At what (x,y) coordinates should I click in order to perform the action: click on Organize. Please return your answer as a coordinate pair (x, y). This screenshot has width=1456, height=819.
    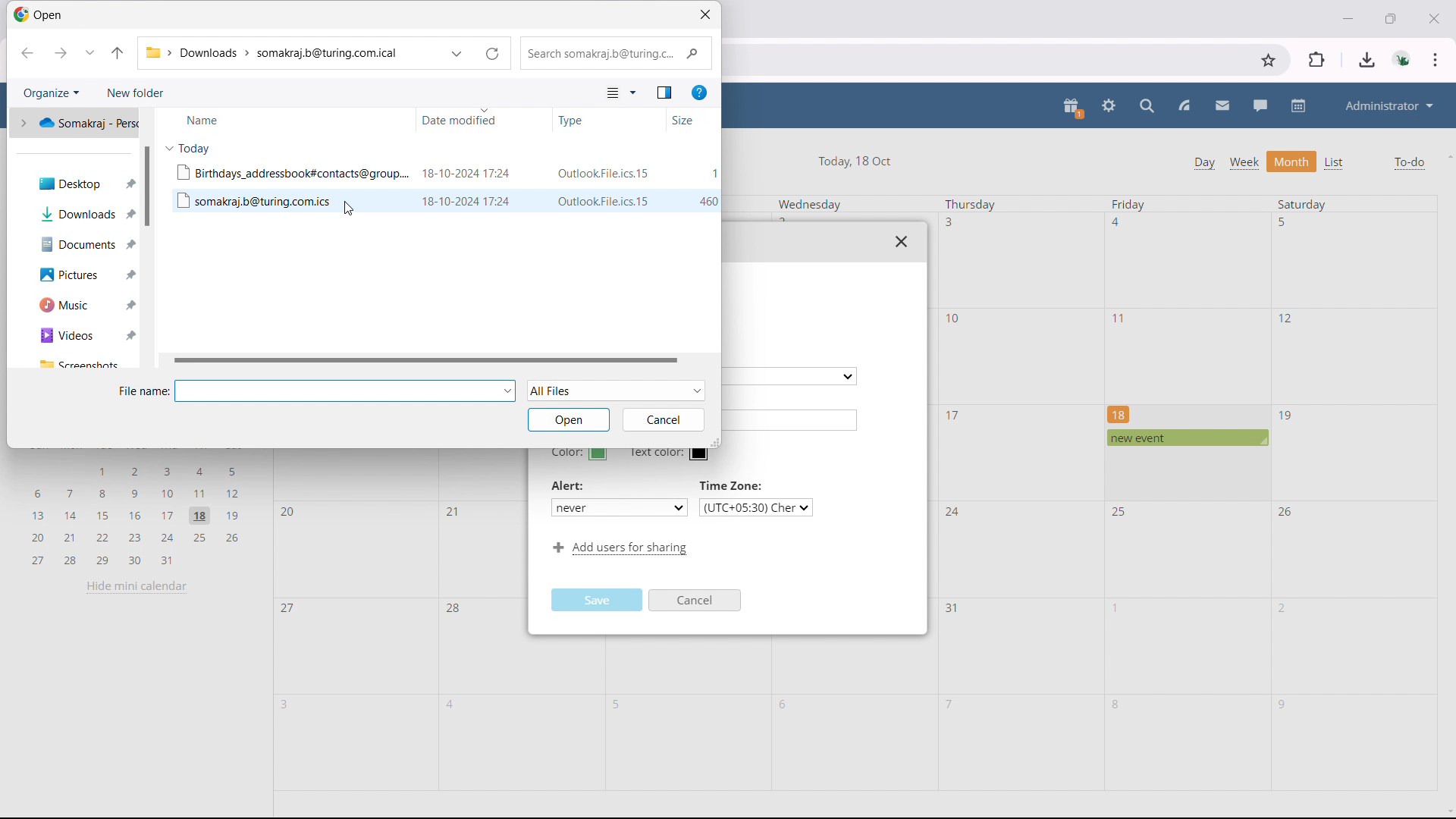
    Looking at the image, I should click on (49, 93).